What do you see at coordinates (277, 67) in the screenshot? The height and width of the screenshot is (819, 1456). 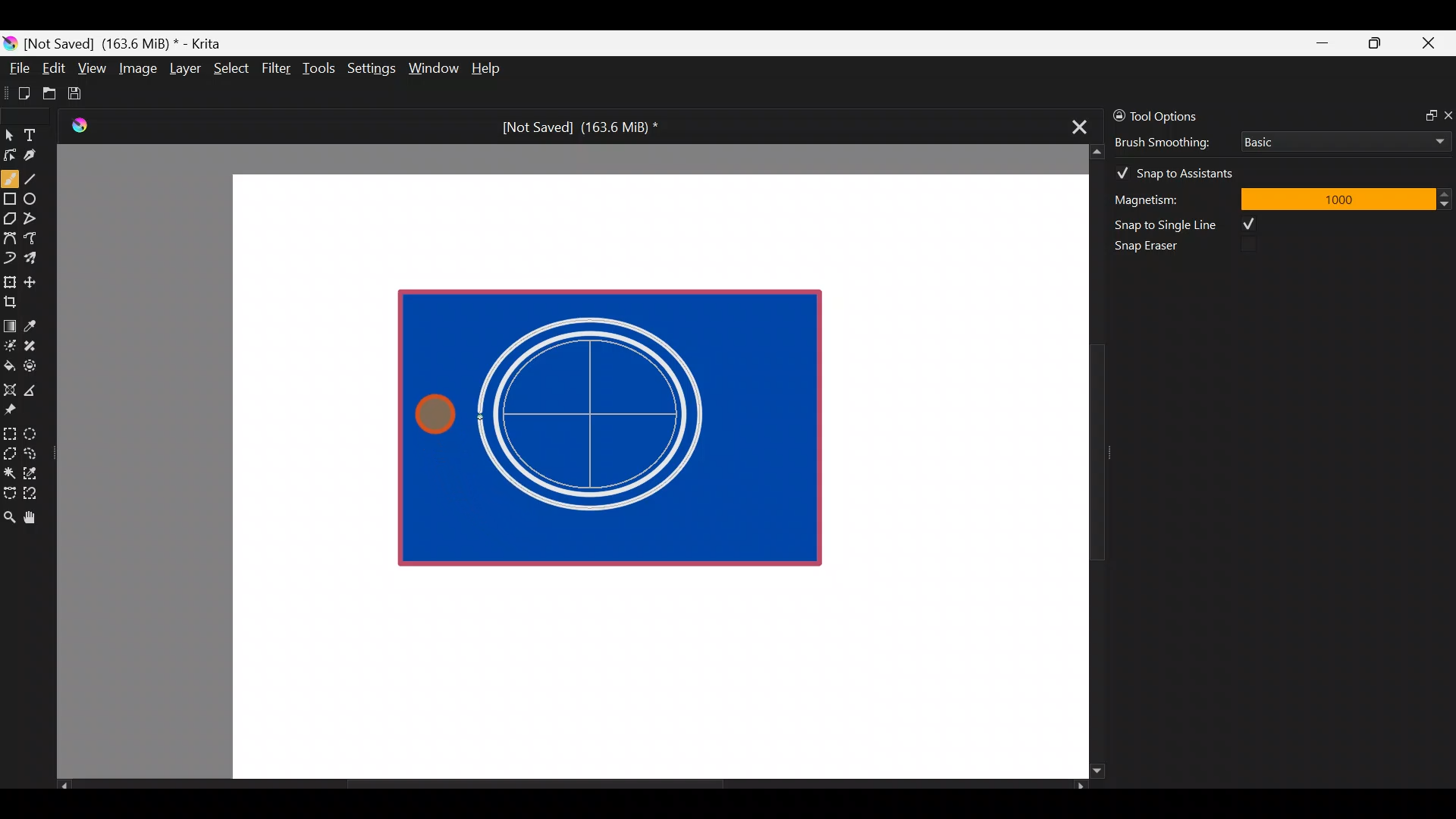 I see `Filter` at bounding box center [277, 67].